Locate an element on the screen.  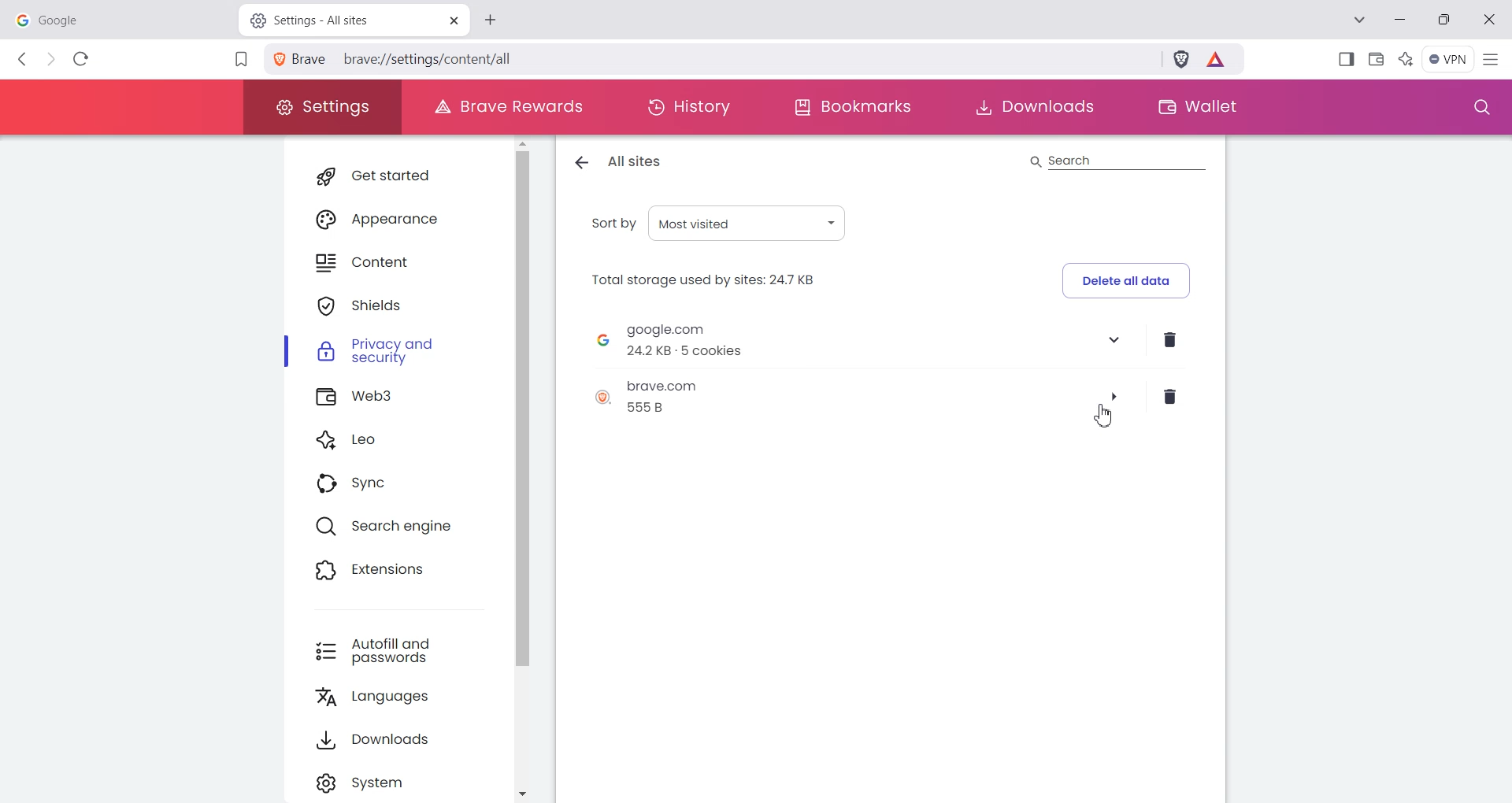
All sites is located at coordinates (620, 161).